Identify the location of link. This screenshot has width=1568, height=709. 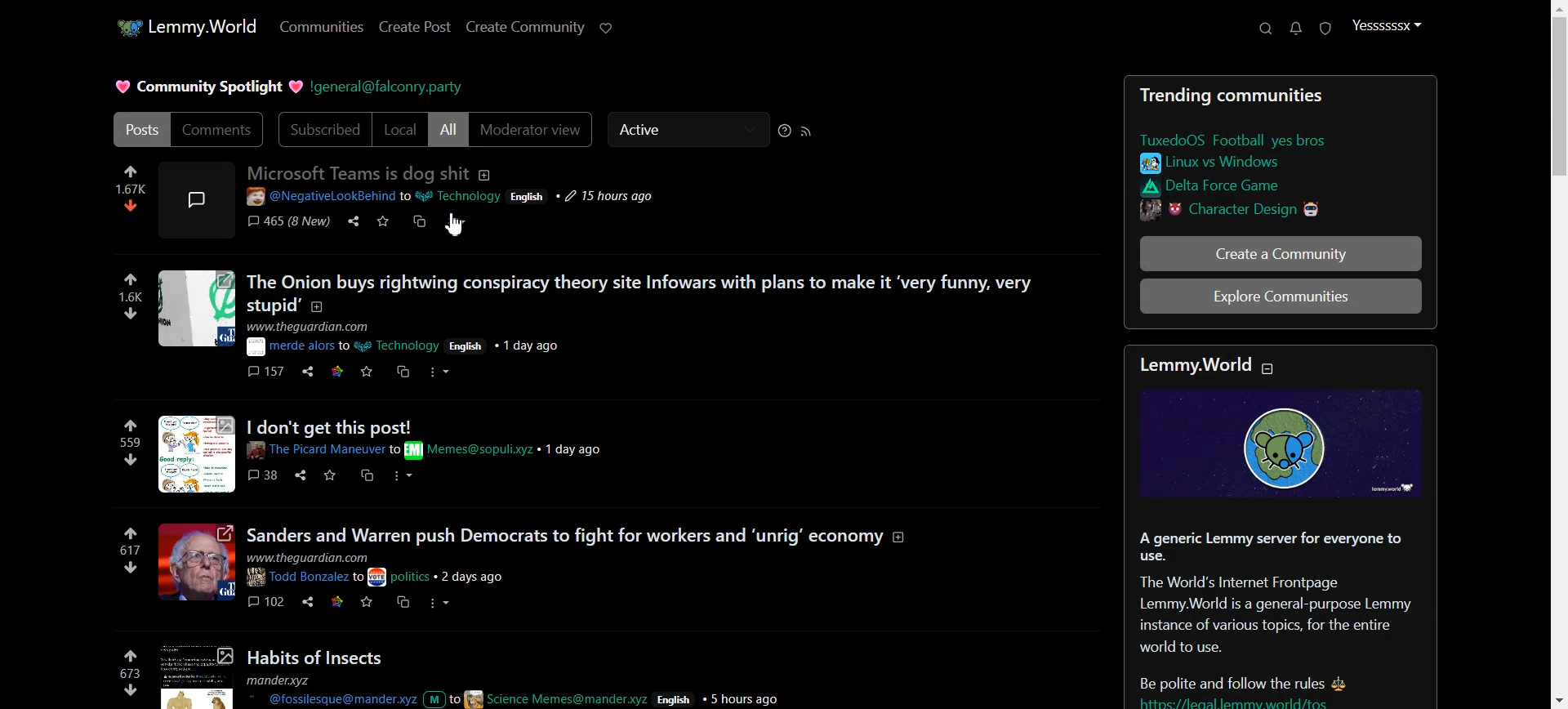
(1236, 163).